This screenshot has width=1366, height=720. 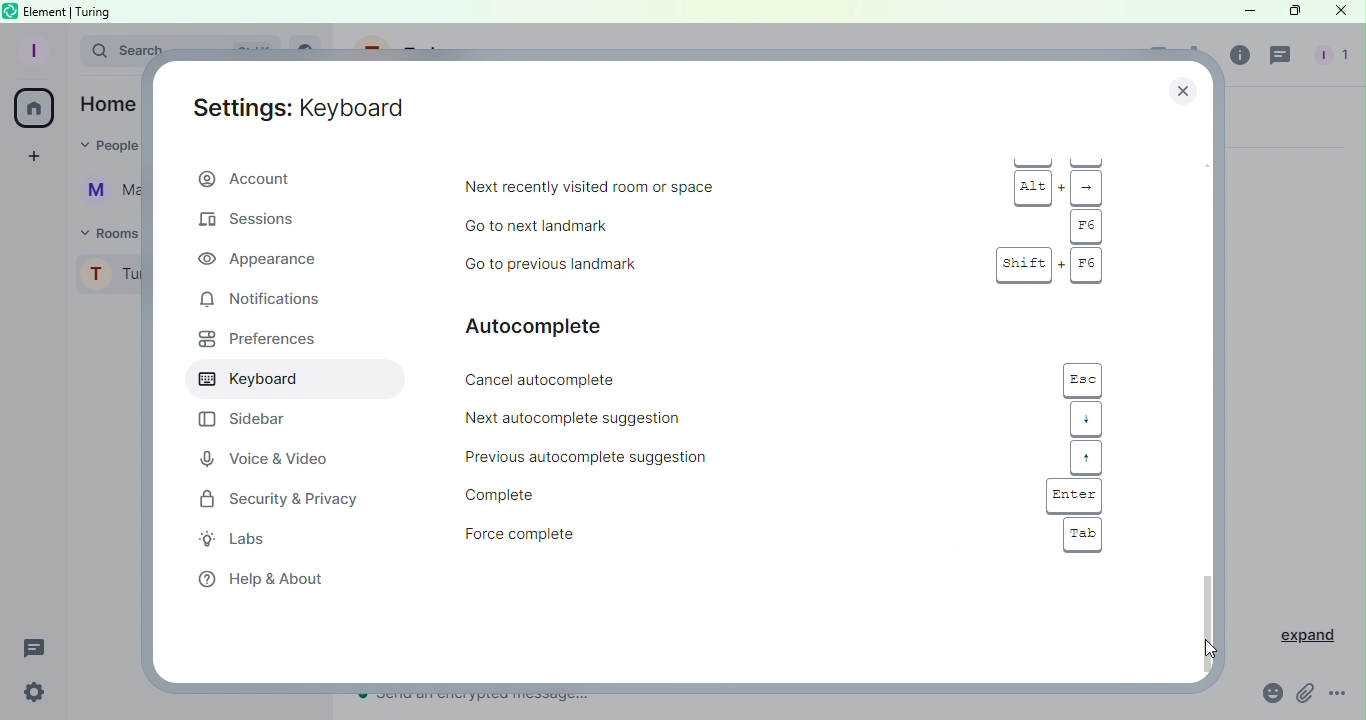 I want to click on More Options, so click(x=1344, y=696).